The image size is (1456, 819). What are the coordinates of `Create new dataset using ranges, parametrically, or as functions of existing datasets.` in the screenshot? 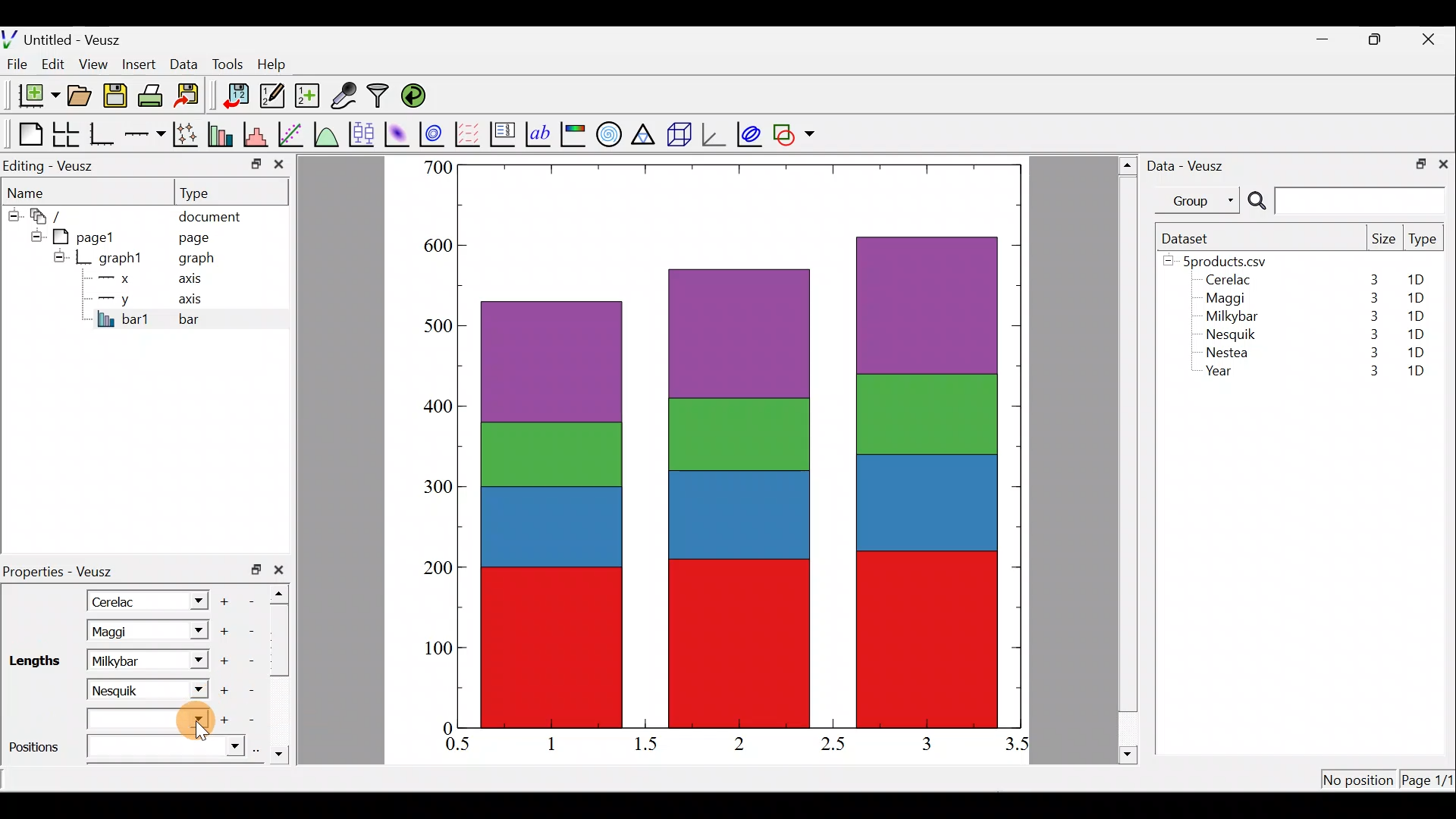 It's located at (309, 96).